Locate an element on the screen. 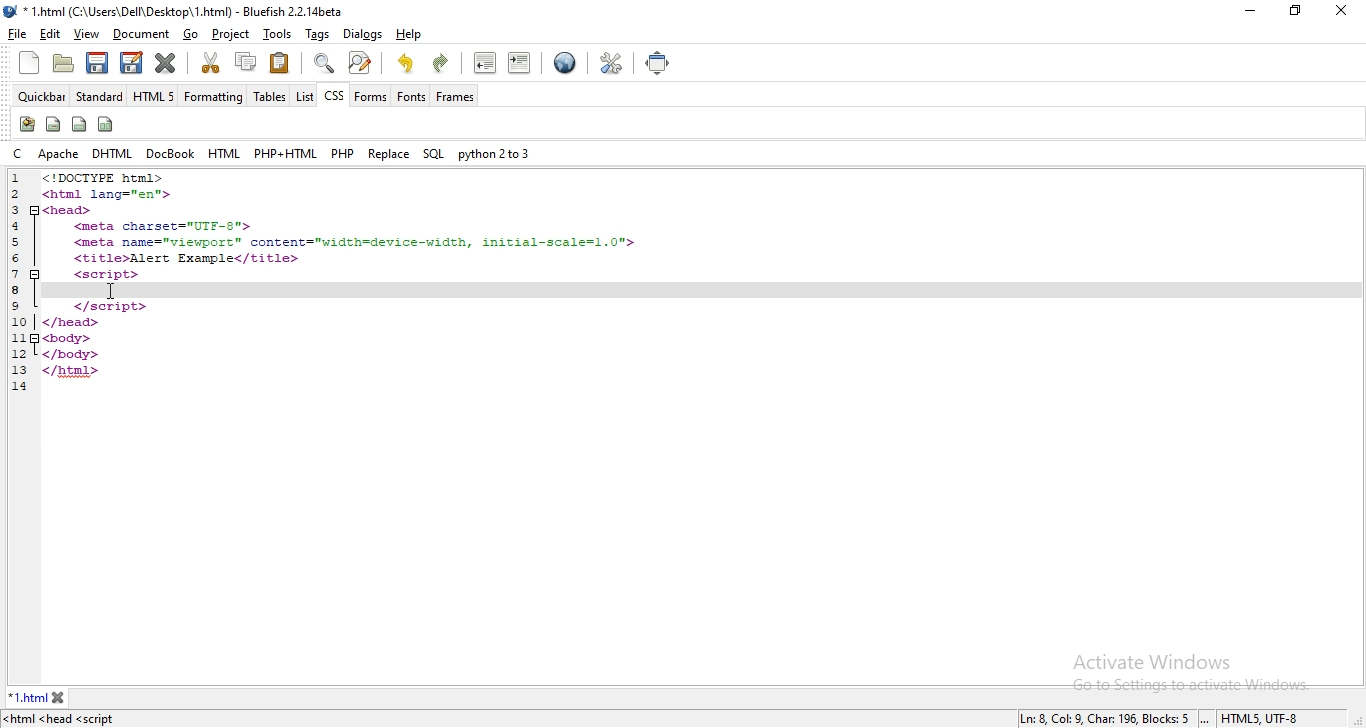  dialogs is located at coordinates (361, 34).